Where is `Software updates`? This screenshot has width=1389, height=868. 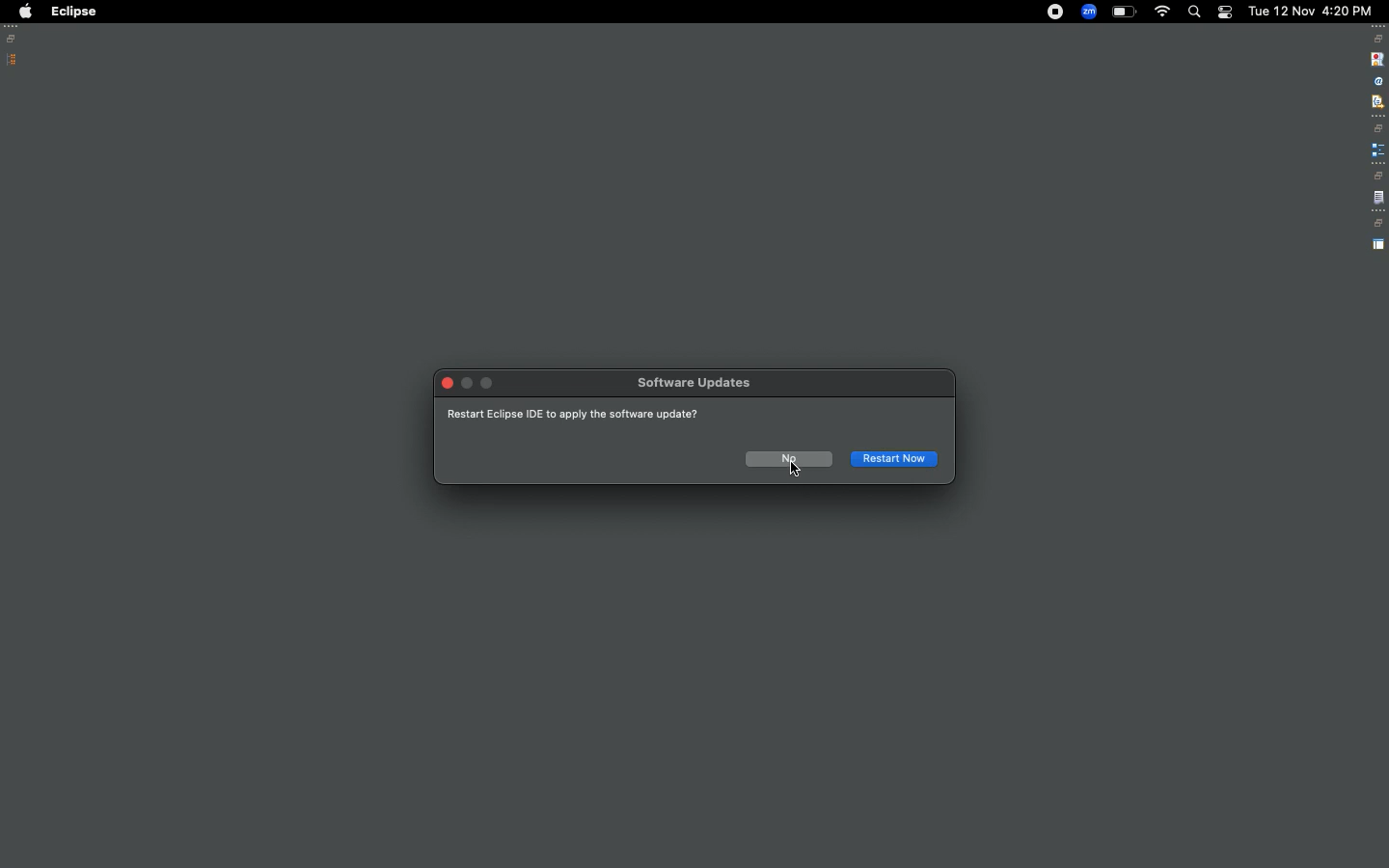
Software updates is located at coordinates (697, 386).